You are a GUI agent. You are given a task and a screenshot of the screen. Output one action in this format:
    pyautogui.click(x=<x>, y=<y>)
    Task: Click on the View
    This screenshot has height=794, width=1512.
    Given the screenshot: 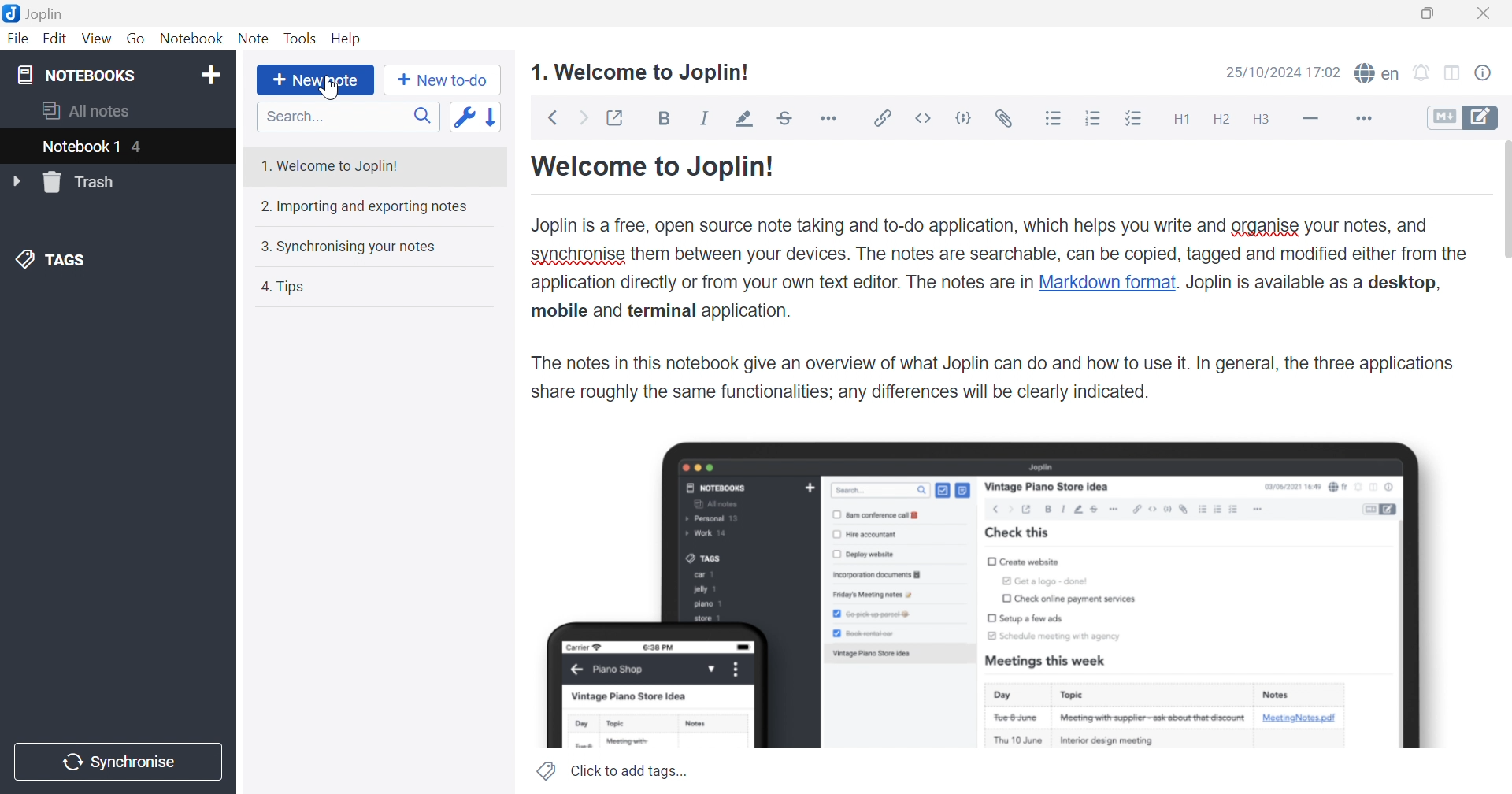 What is the action you would take?
    pyautogui.click(x=95, y=39)
    